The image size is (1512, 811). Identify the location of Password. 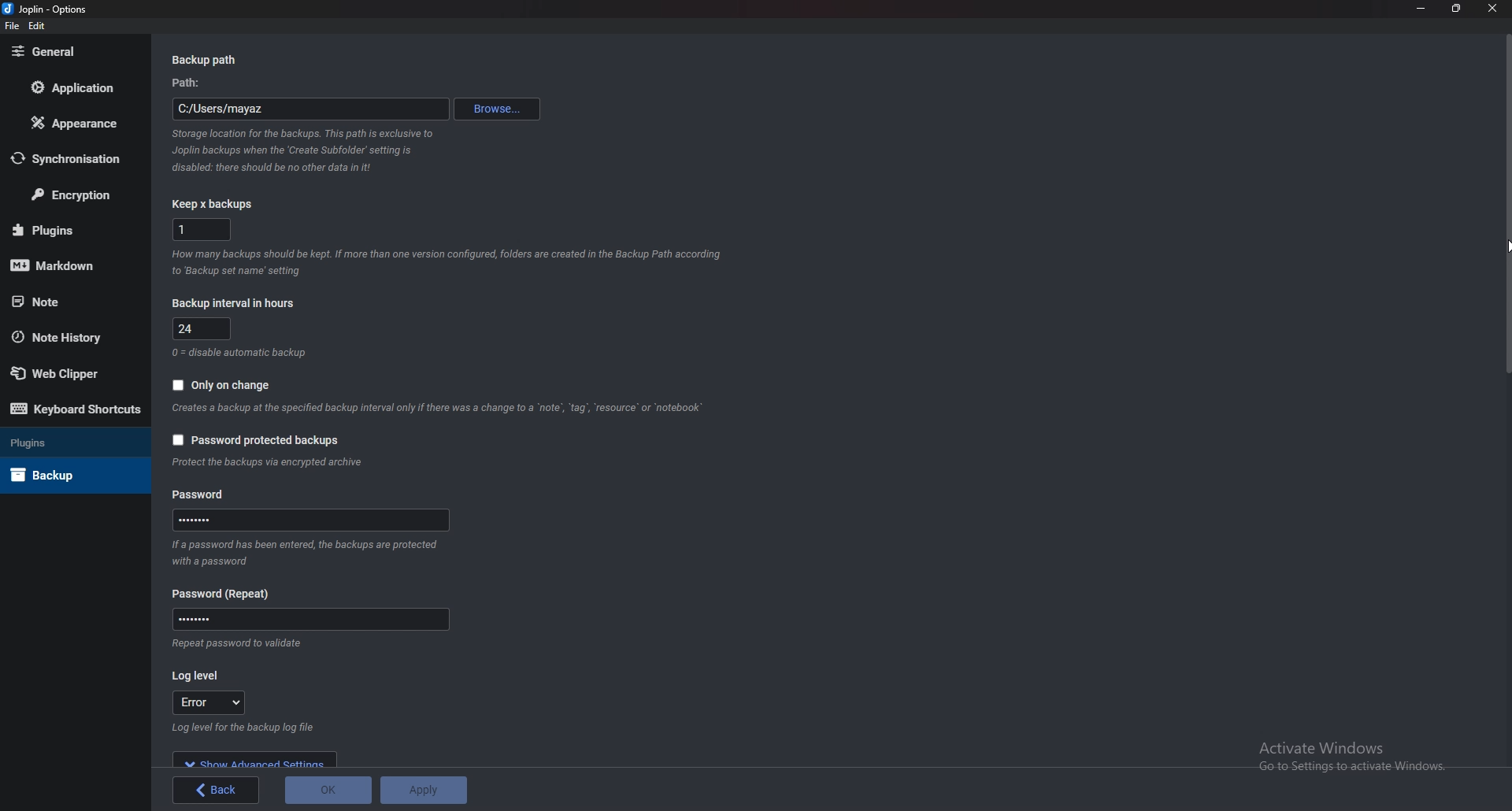
(313, 520).